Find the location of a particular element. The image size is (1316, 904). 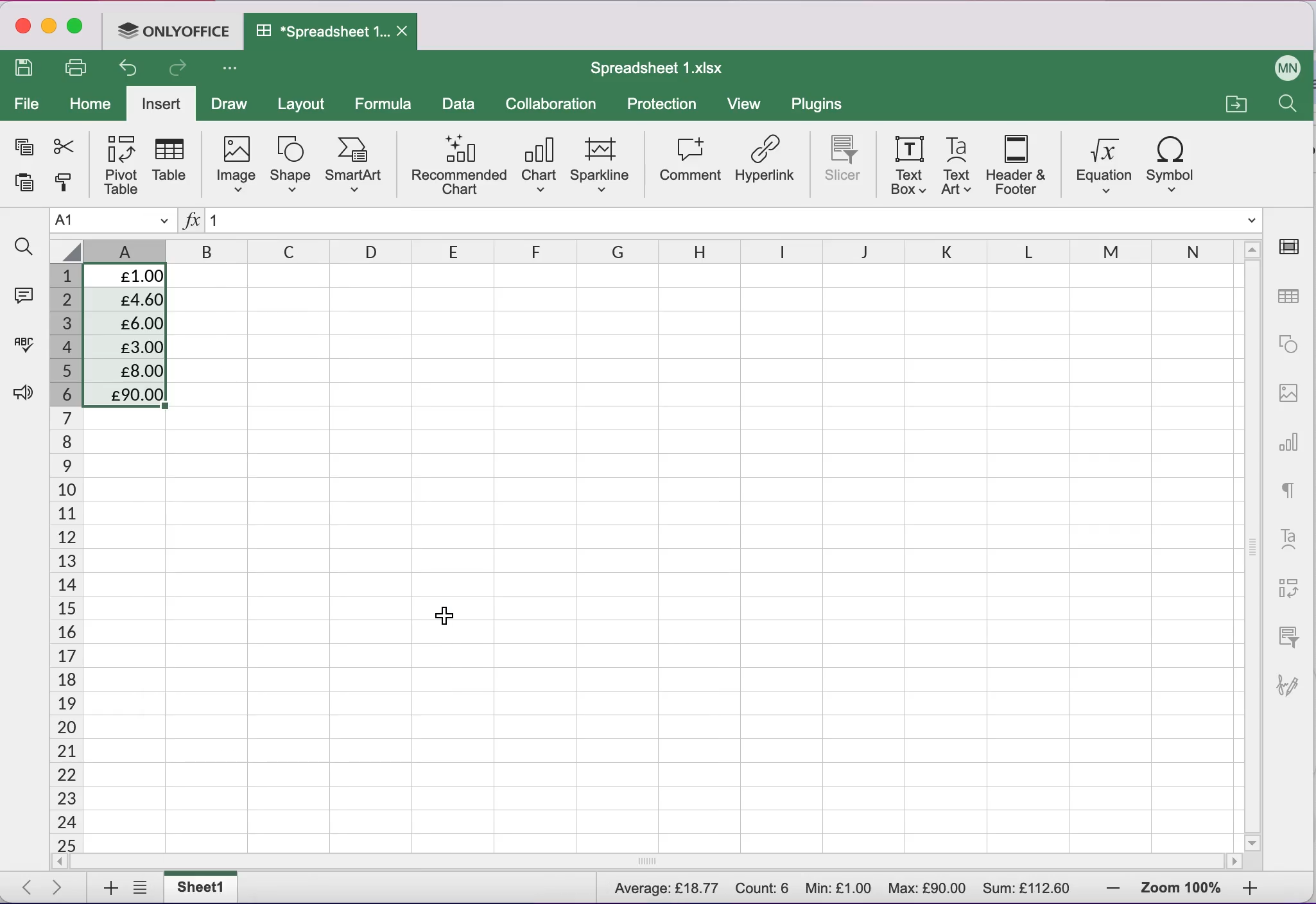

header and footer is located at coordinates (1016, 165).